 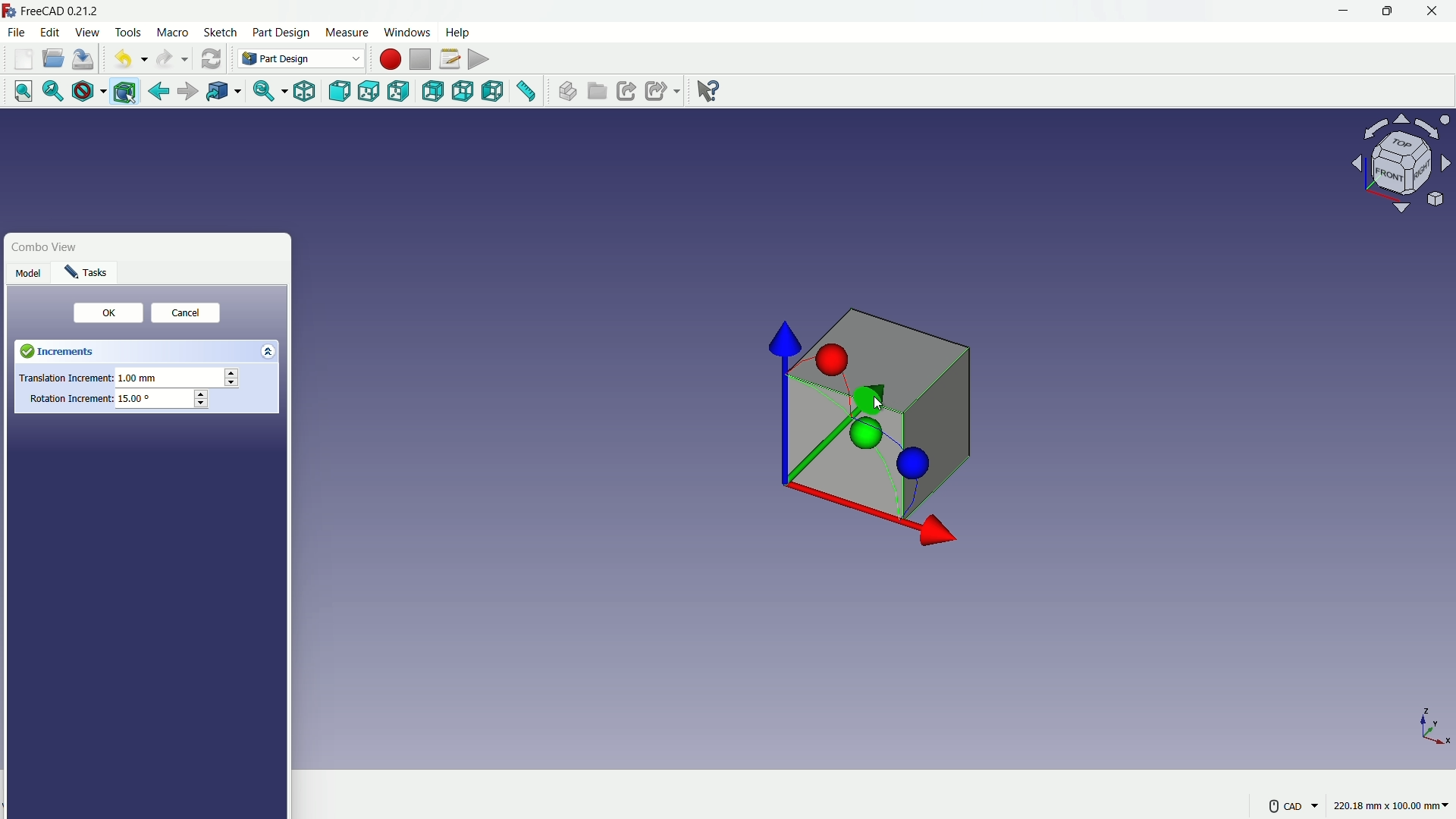 I want to click on close app, so click(x=1433, y=11).